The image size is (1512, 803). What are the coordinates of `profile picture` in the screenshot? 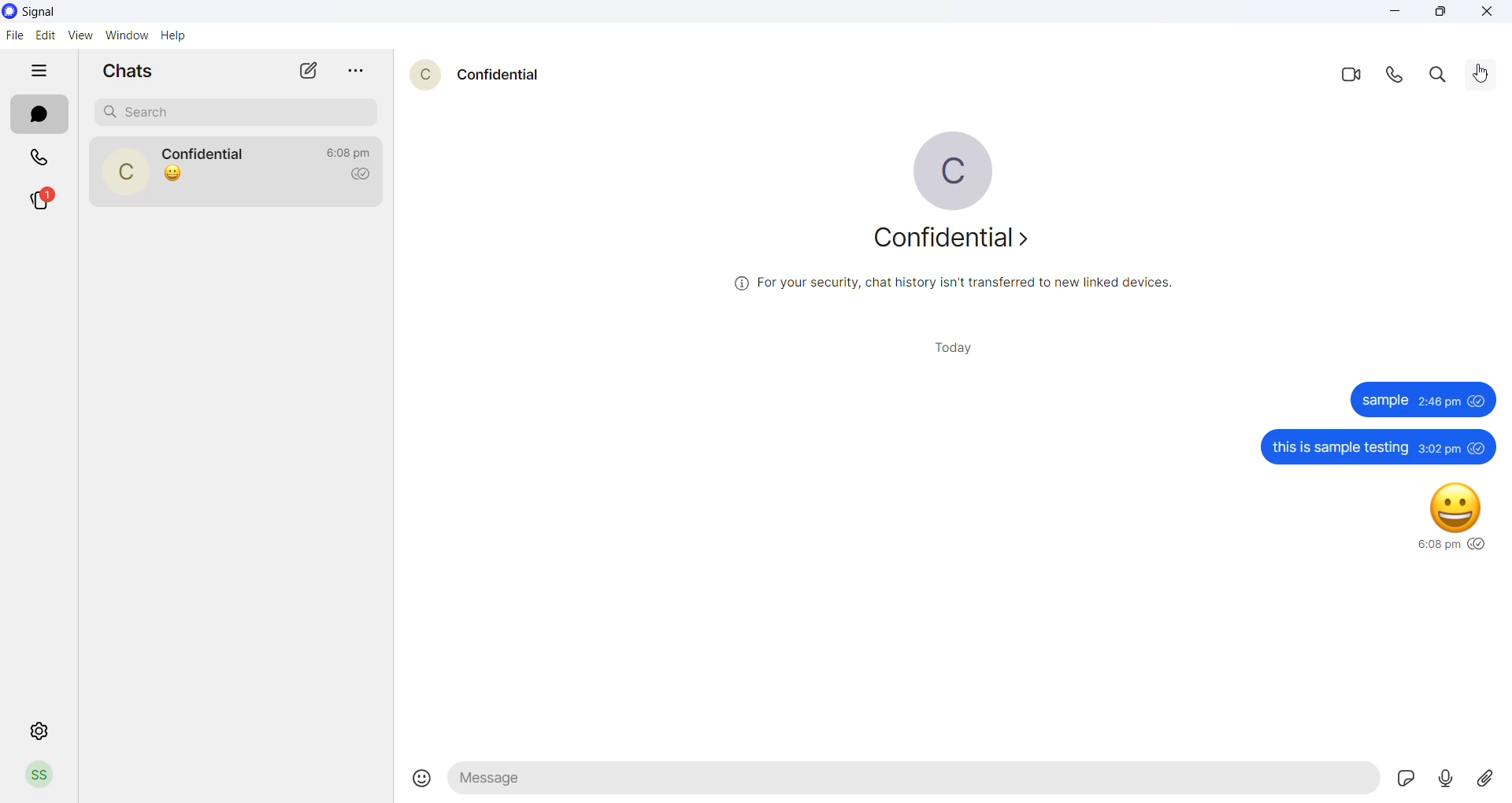 It's located at (943, 168).